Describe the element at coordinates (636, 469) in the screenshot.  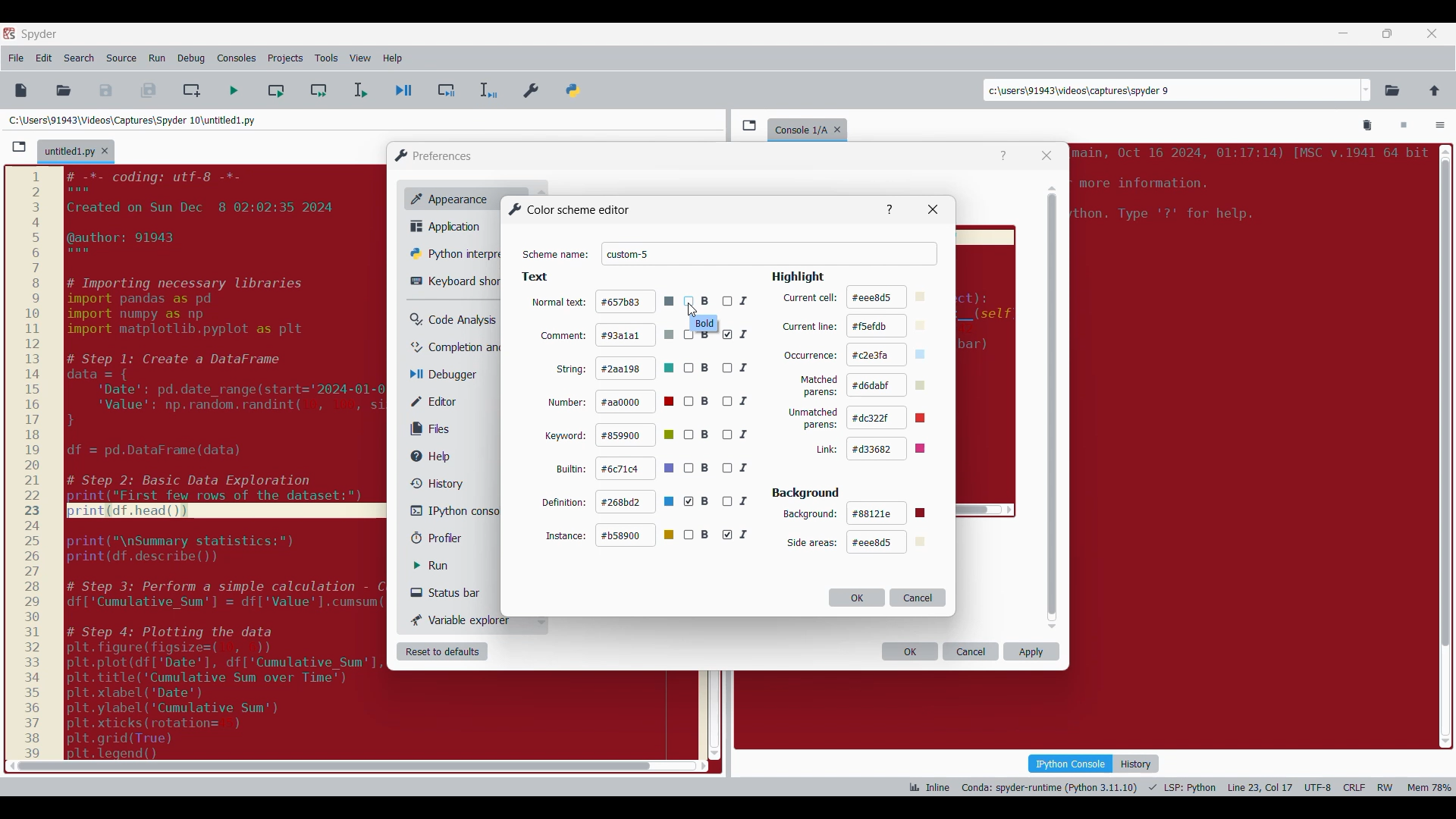
I see `#6c71c4` at that location.